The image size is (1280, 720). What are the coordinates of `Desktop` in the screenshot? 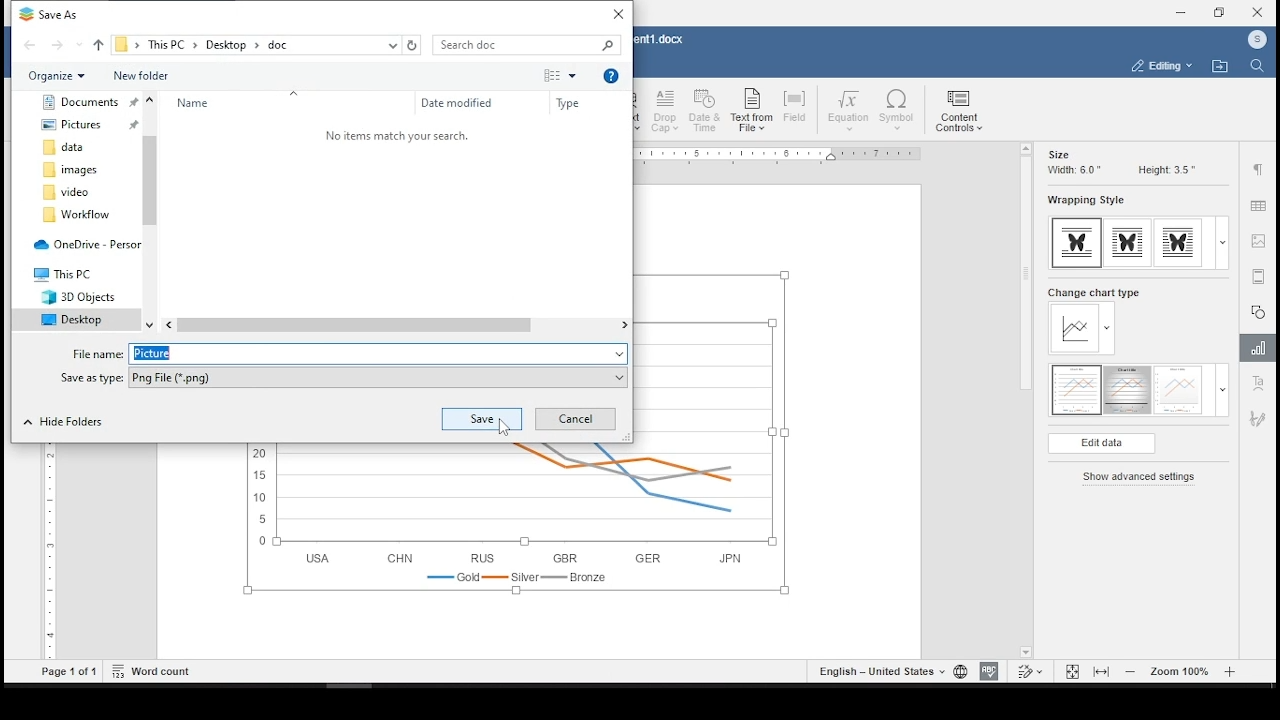 It's located at (71, 321).